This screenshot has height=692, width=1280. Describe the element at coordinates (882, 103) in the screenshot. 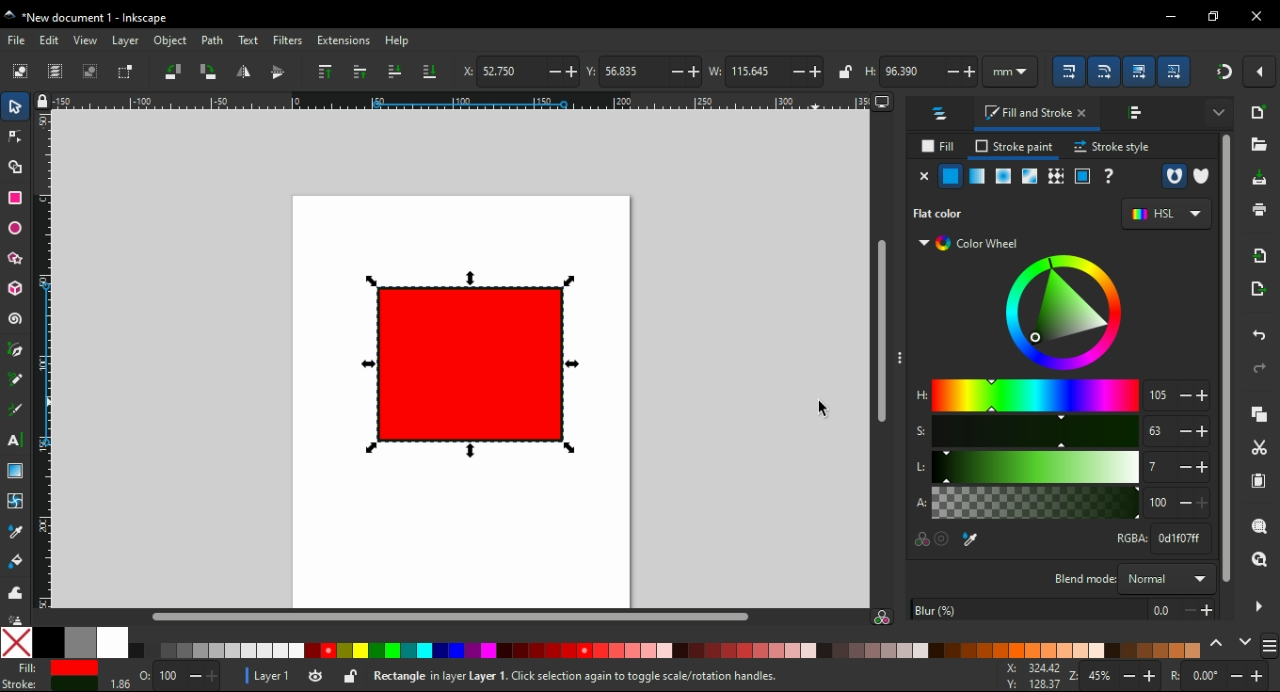

I see `computer icon` at that location.